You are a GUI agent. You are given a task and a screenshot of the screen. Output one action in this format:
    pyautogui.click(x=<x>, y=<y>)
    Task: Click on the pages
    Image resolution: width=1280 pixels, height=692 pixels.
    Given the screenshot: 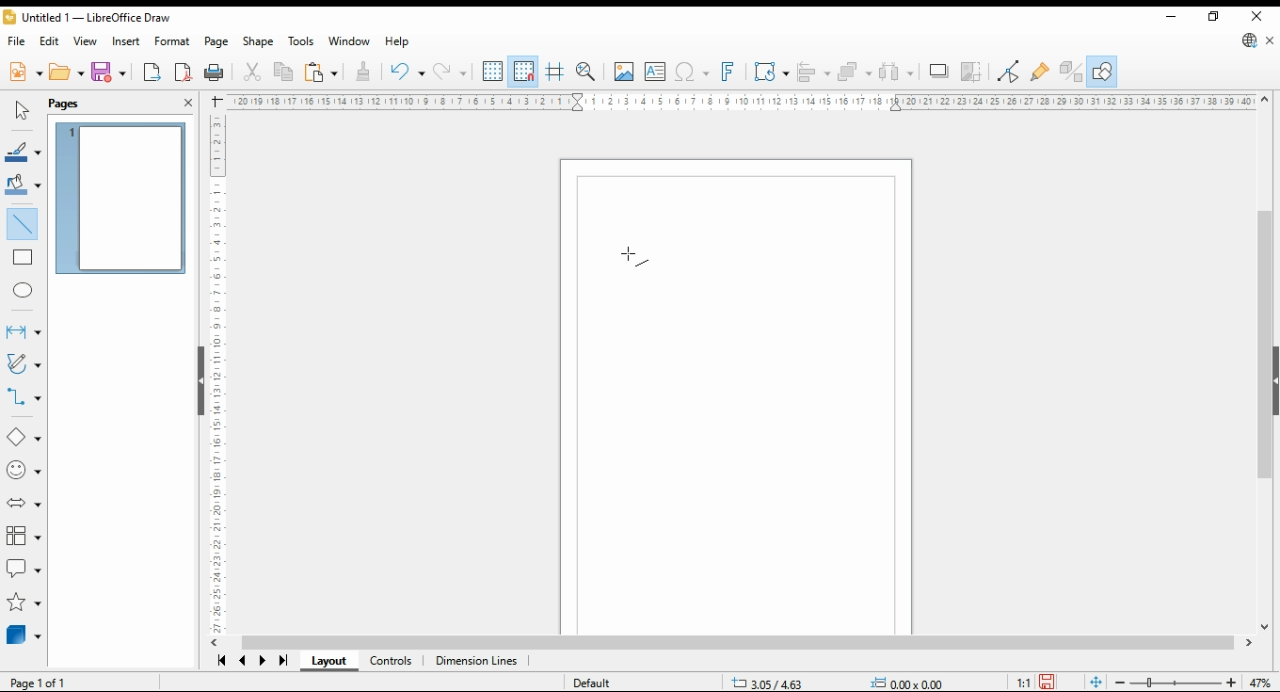 What is the action you would take?
    pyautogui.click(x=82, y=102)
    